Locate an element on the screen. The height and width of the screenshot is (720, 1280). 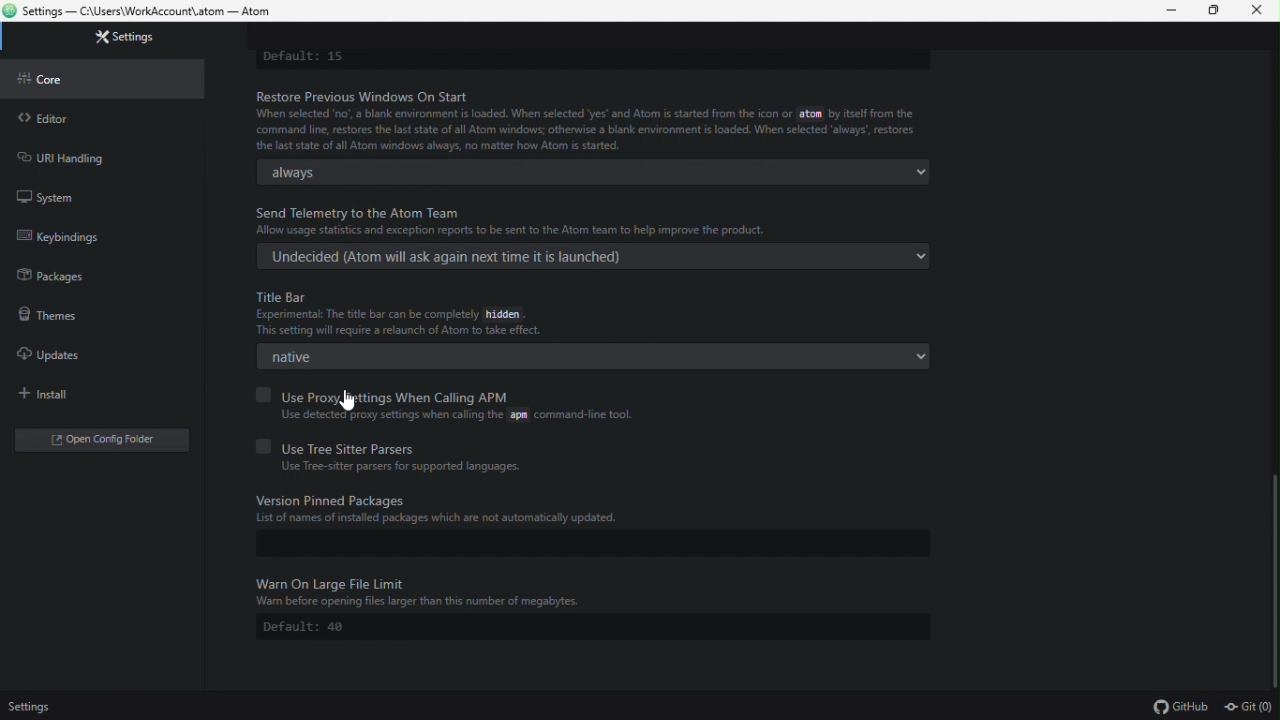
Packages is located at coordinates (94, 276).